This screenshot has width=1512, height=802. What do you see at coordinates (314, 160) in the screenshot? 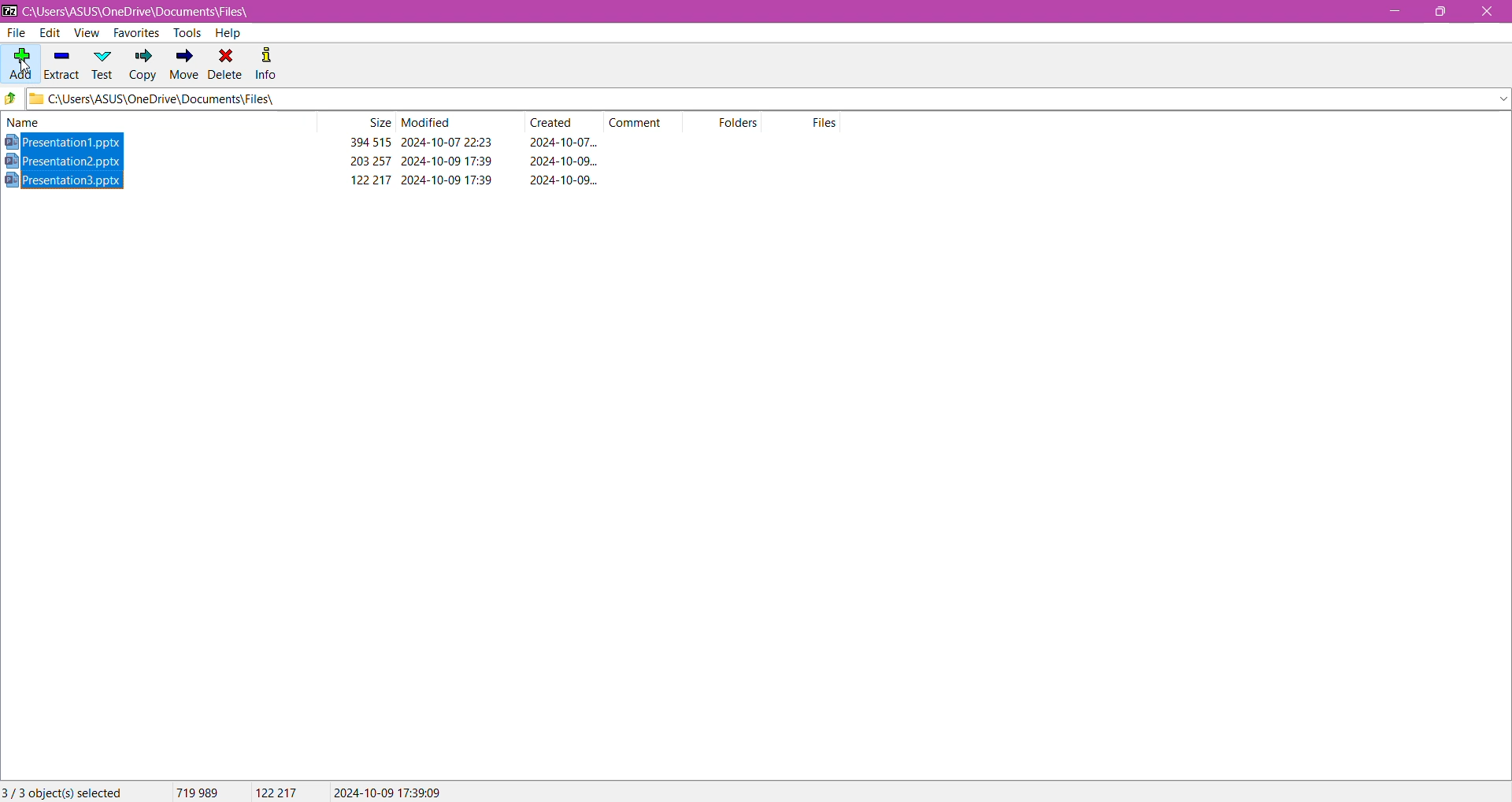
I see `Presentation2.pptx 203257 2024-10-09 17:39 2024-10-09...` at bounding box center [314, 160].